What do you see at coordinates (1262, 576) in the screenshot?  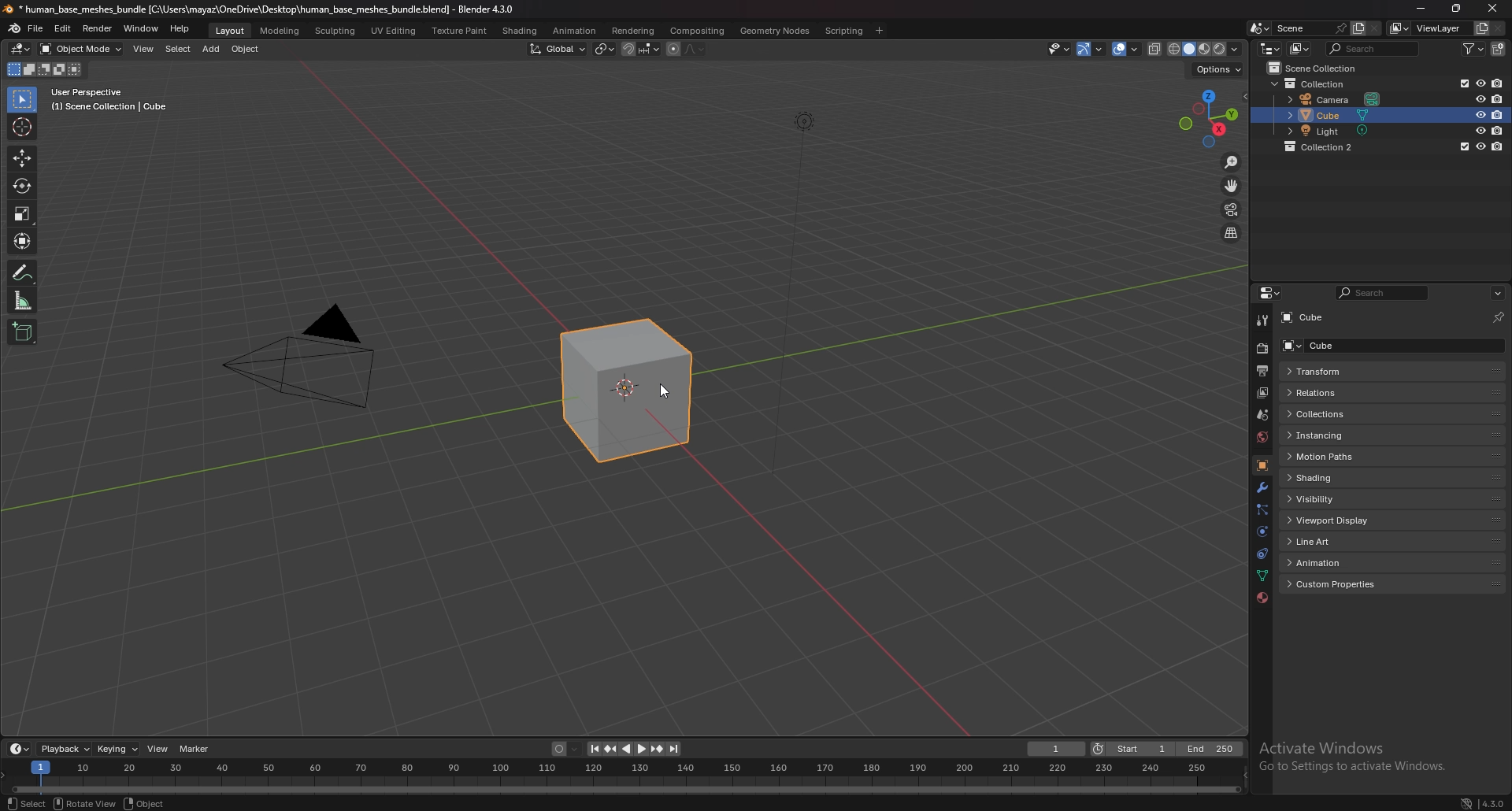 I see `data` at bounding box center [1262, 576].